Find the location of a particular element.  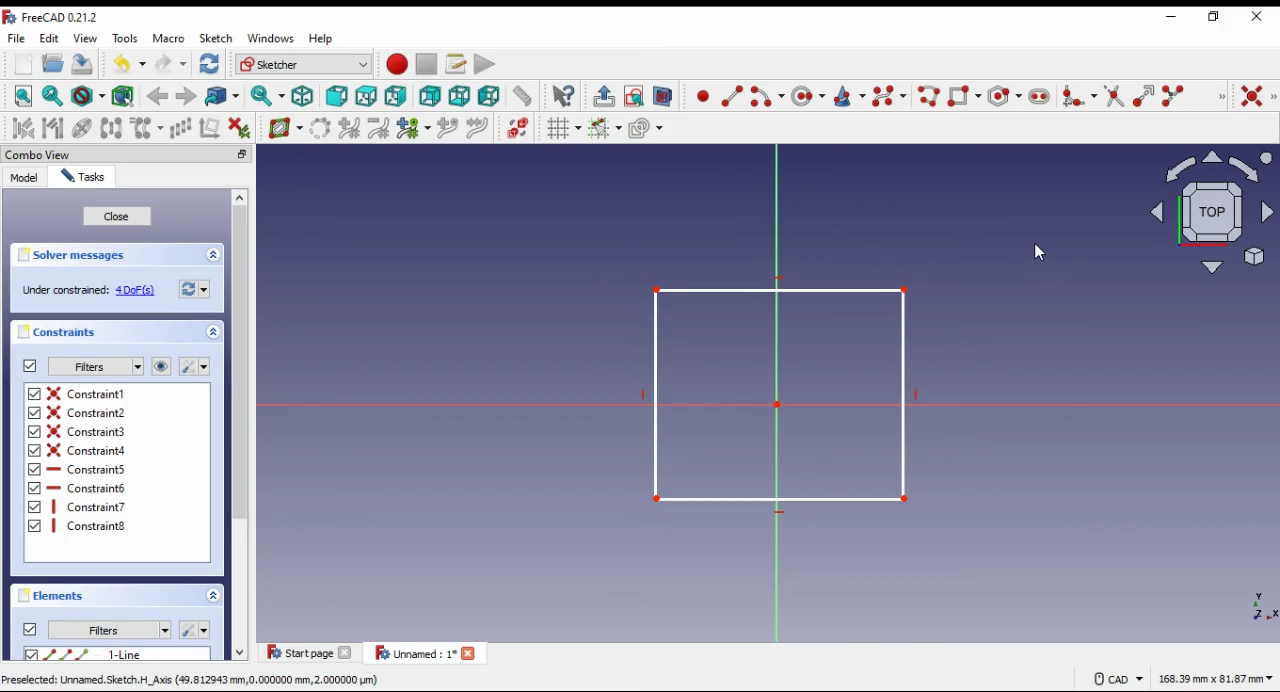

expand/collapse is located at coordinates (214, 332).